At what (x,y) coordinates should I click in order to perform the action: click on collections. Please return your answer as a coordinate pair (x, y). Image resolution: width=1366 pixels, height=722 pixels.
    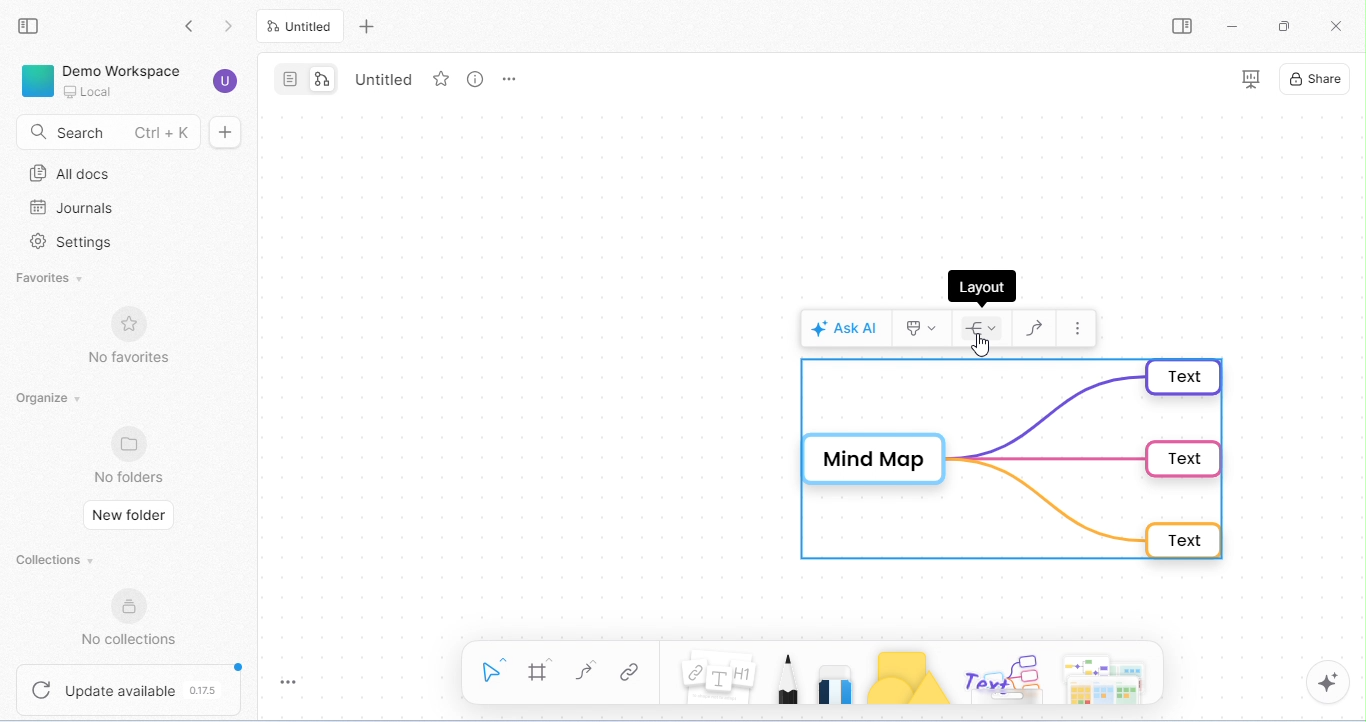
    Looking at the image, I should click on (56, 559).